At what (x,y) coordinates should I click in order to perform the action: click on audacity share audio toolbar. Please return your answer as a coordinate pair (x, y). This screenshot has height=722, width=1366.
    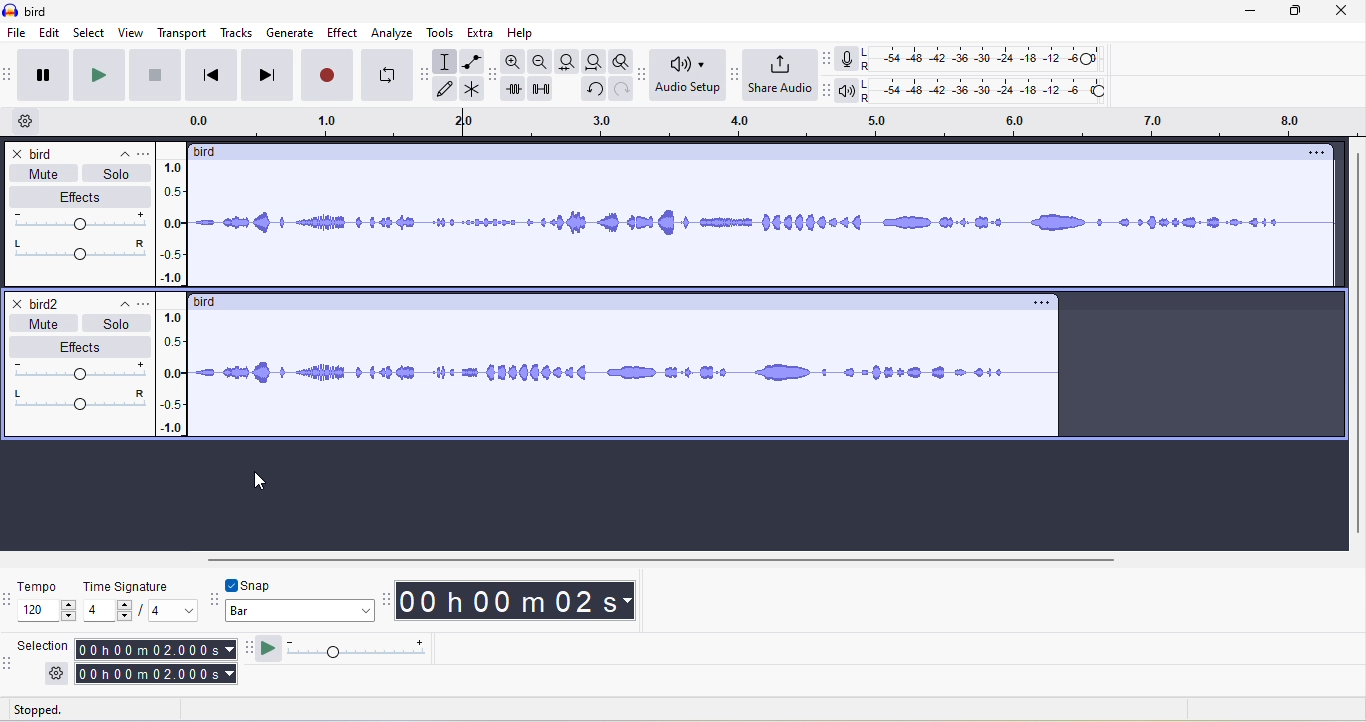
    Looking at the image, I should click on (739, 73).